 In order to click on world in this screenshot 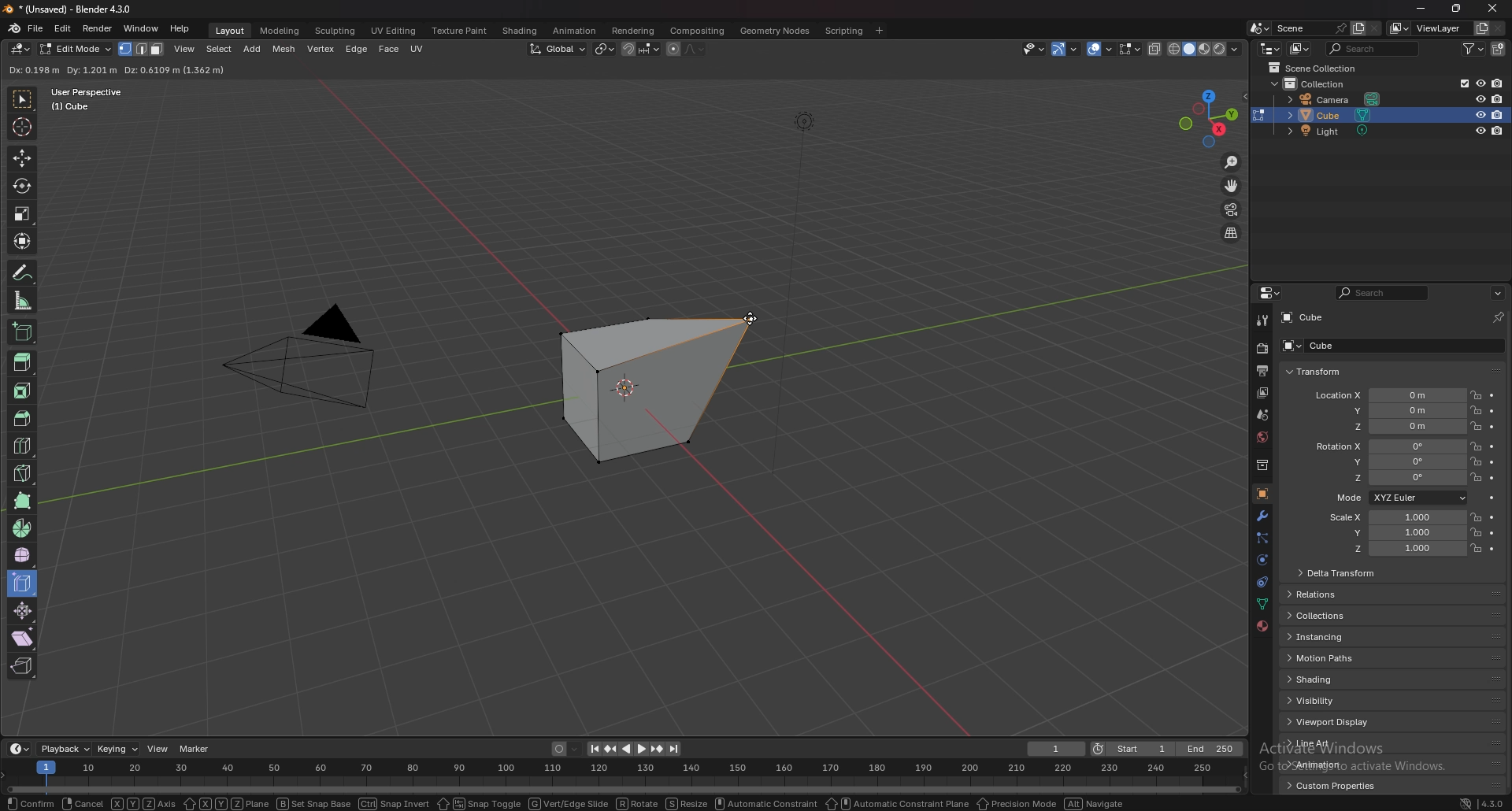, I will do `click(1262, 436)`.